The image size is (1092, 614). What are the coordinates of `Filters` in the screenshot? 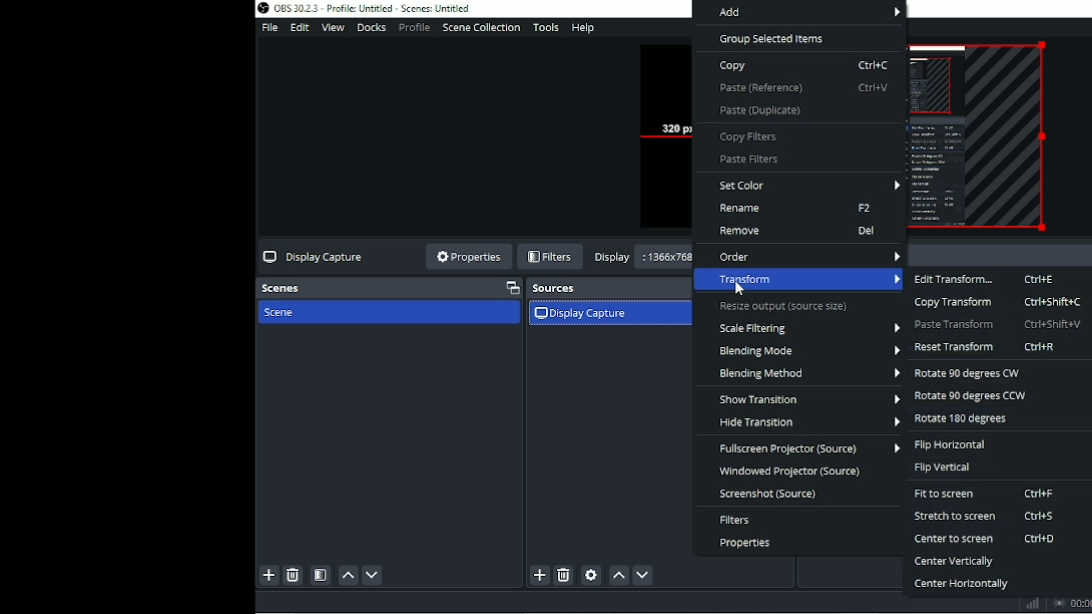 It's located at (741, 520).